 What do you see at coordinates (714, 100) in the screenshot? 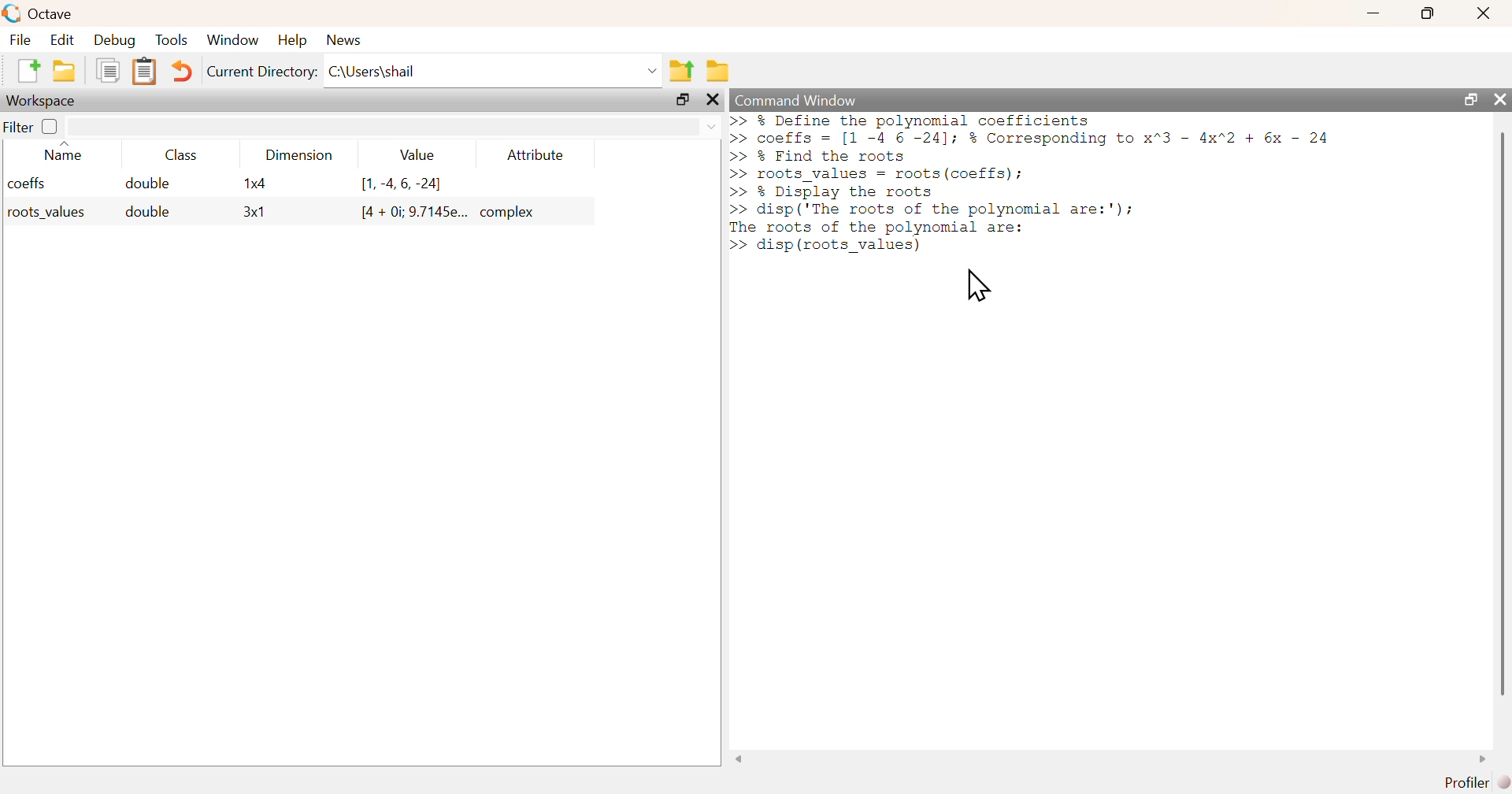
I see `close` at bounding box center [714, 100].